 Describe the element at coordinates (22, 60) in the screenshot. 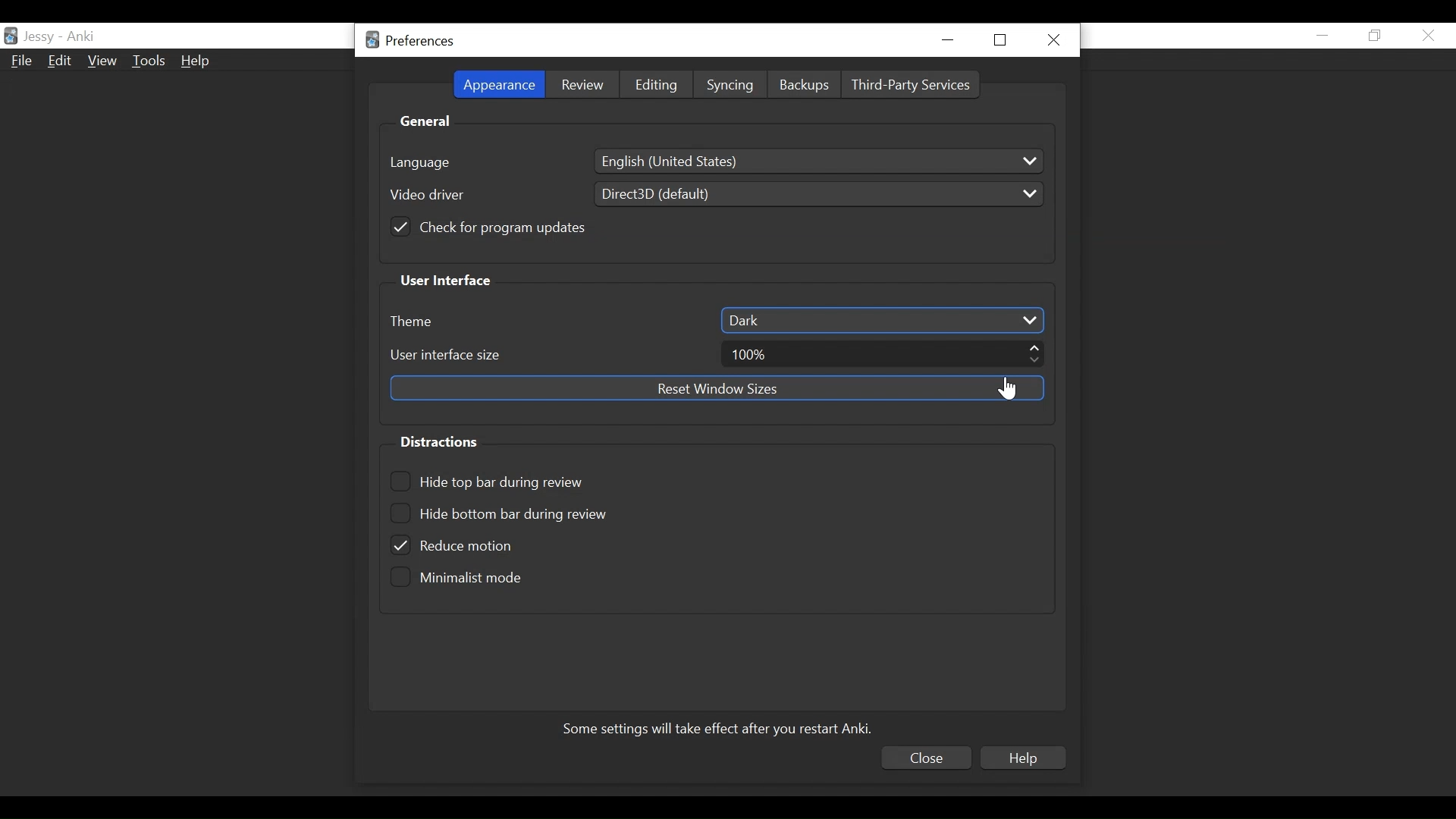

I see `File` at that location.